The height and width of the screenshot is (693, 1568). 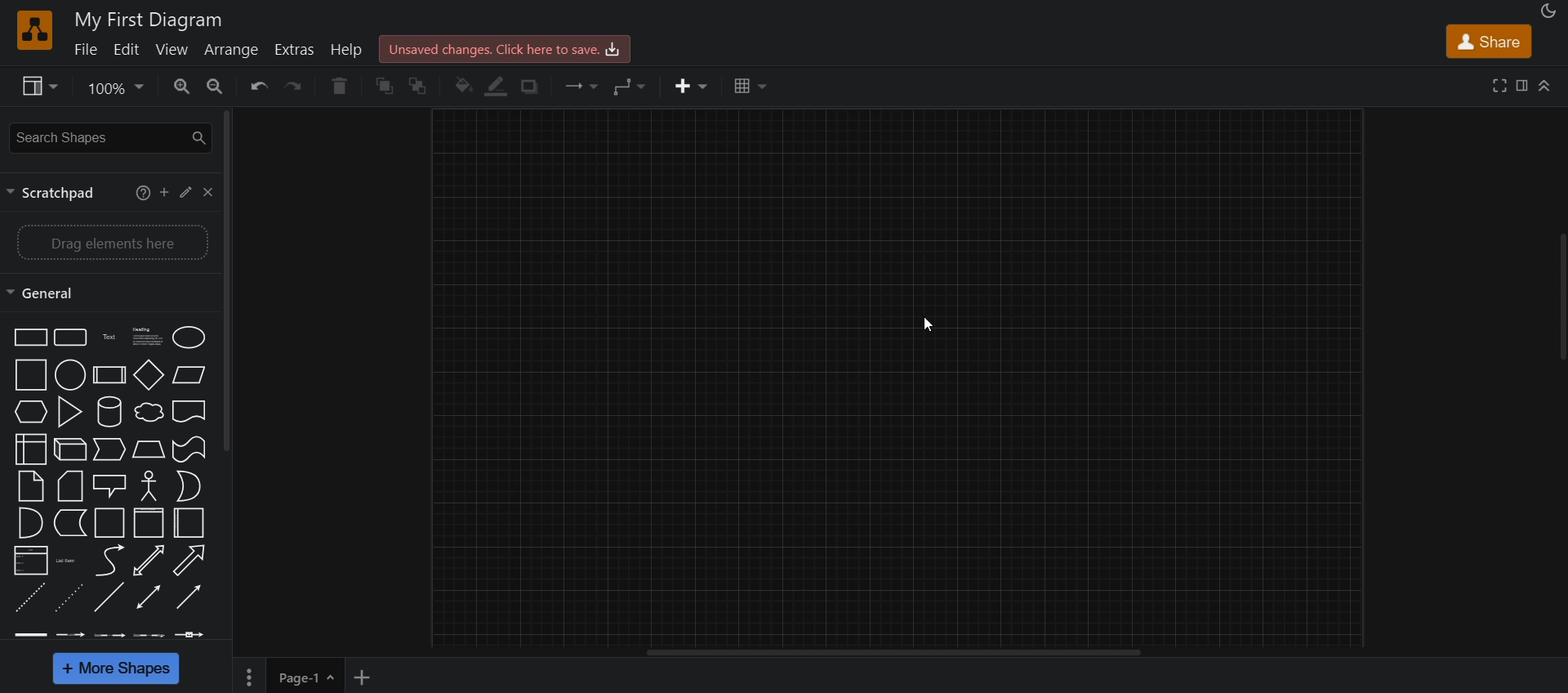 I want to click on to back, so click(x=423, y=85).